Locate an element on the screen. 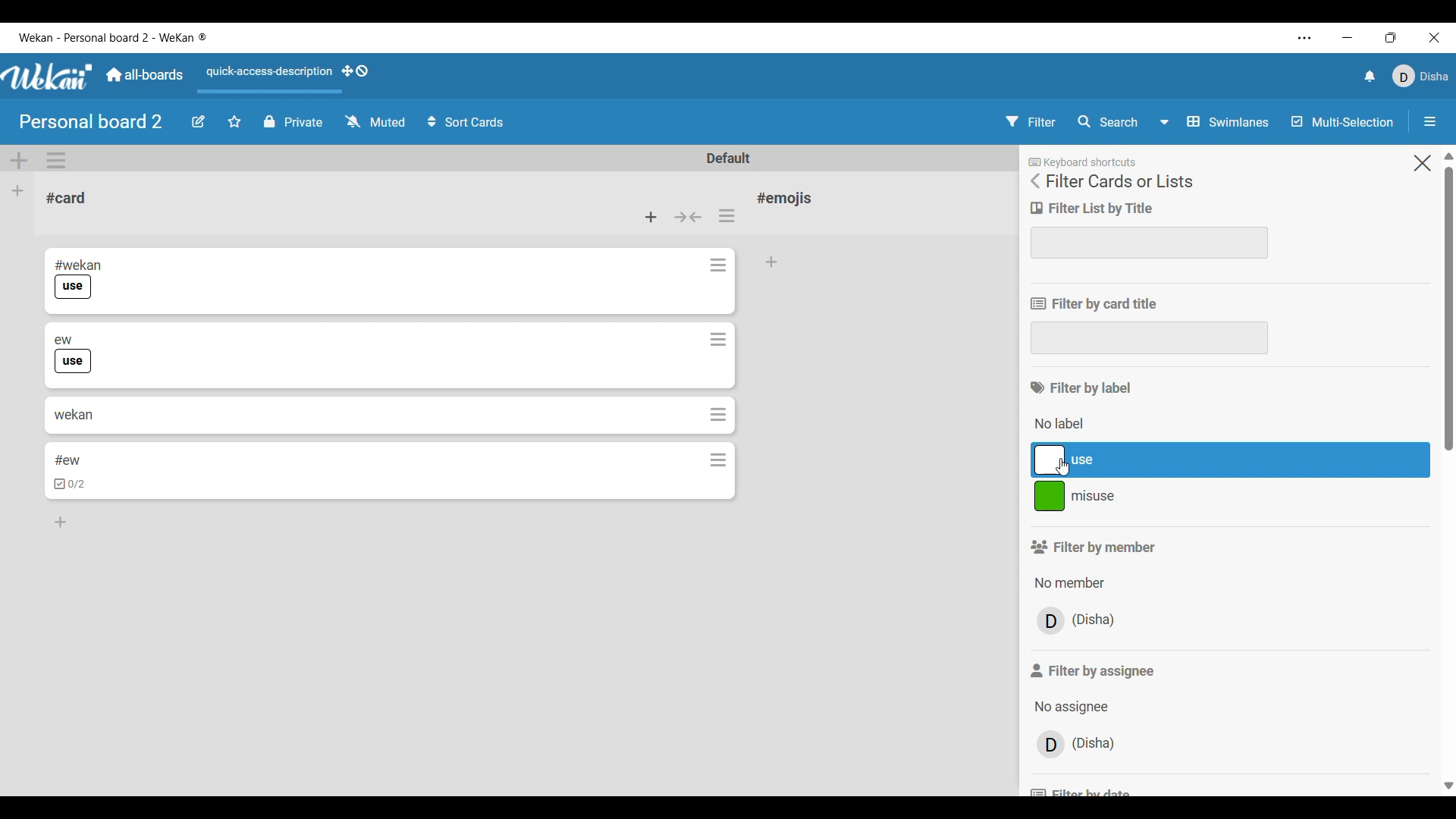 The height and width of the screenshot is (819, 1456). color is located at coordinates (1049, 497).